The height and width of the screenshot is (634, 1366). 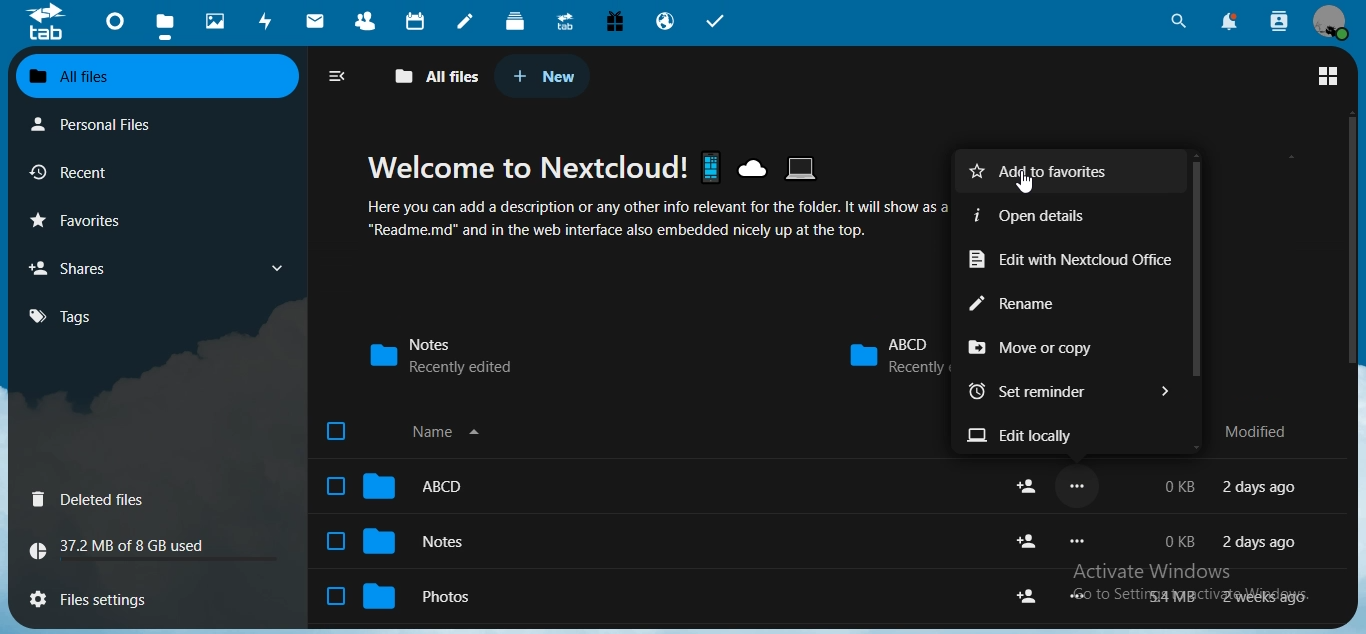 I want to click on deleted files, so click(x=94, y=499).